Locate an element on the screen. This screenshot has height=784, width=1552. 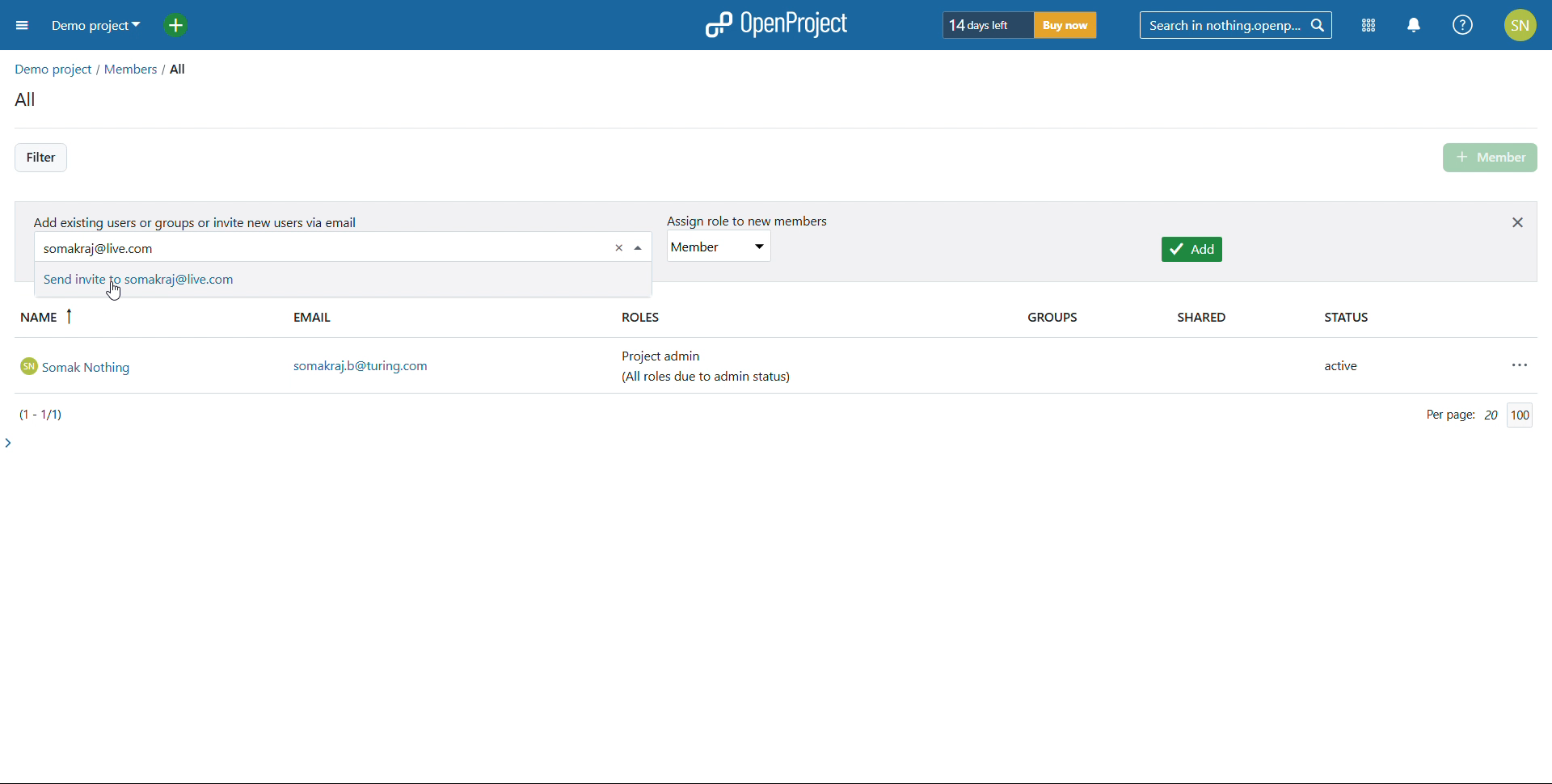
all is located at coordinates (183, 69).